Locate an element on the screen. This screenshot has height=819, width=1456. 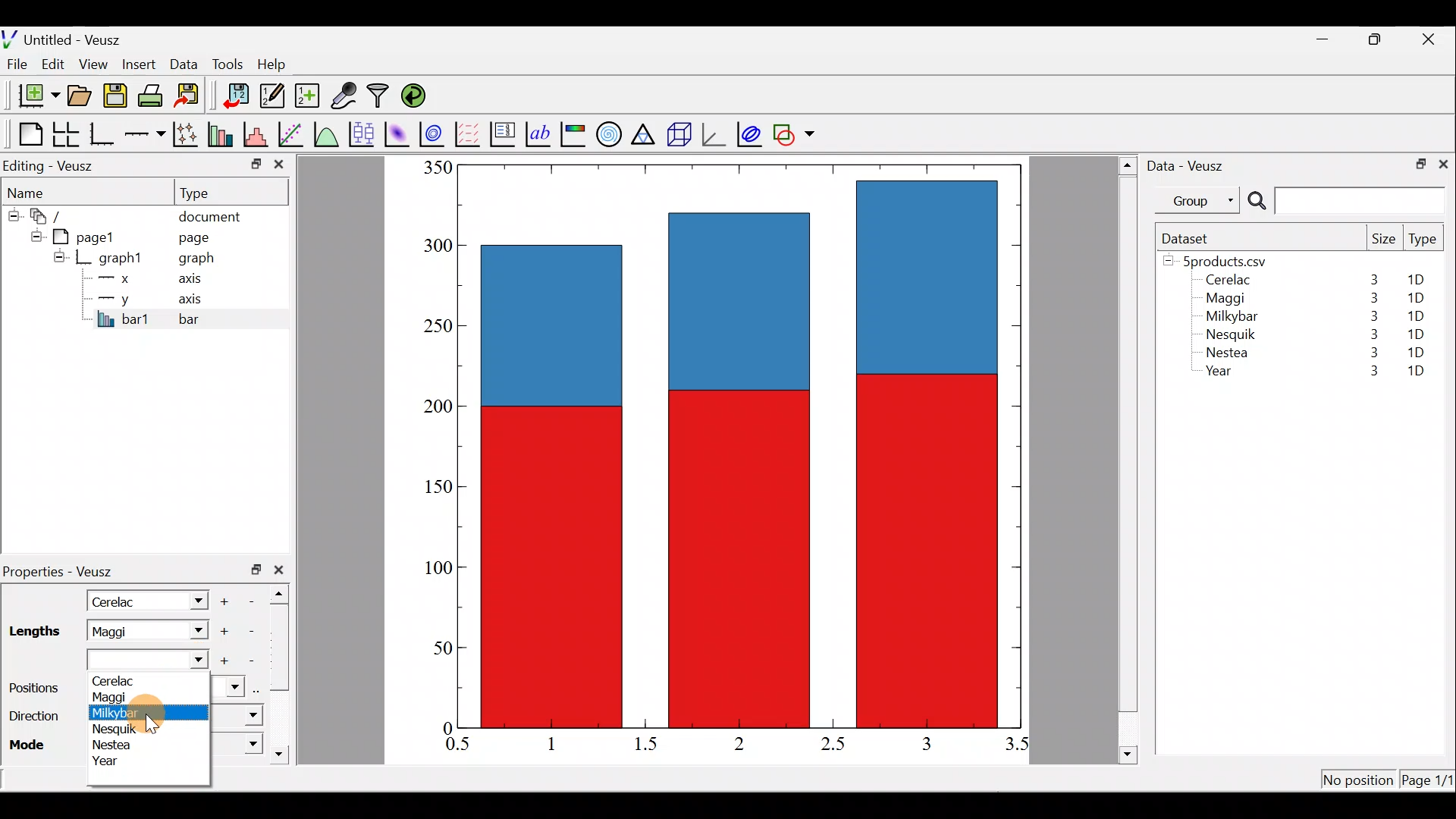
200 is located at coordinates (433, 409).